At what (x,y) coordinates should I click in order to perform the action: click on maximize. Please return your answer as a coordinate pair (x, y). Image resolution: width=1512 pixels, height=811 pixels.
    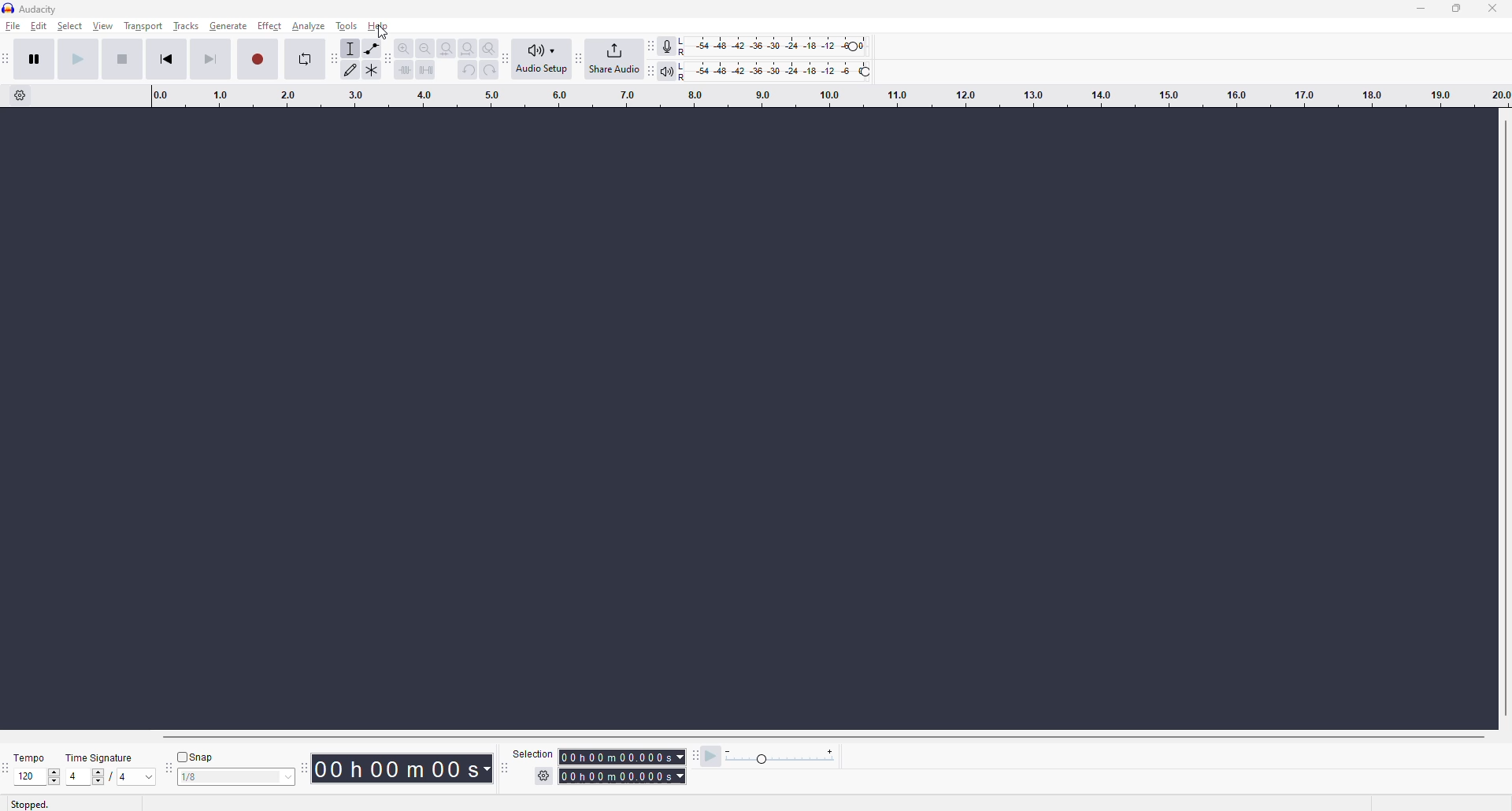
    Looking at the image, I should click on (1455, 13).